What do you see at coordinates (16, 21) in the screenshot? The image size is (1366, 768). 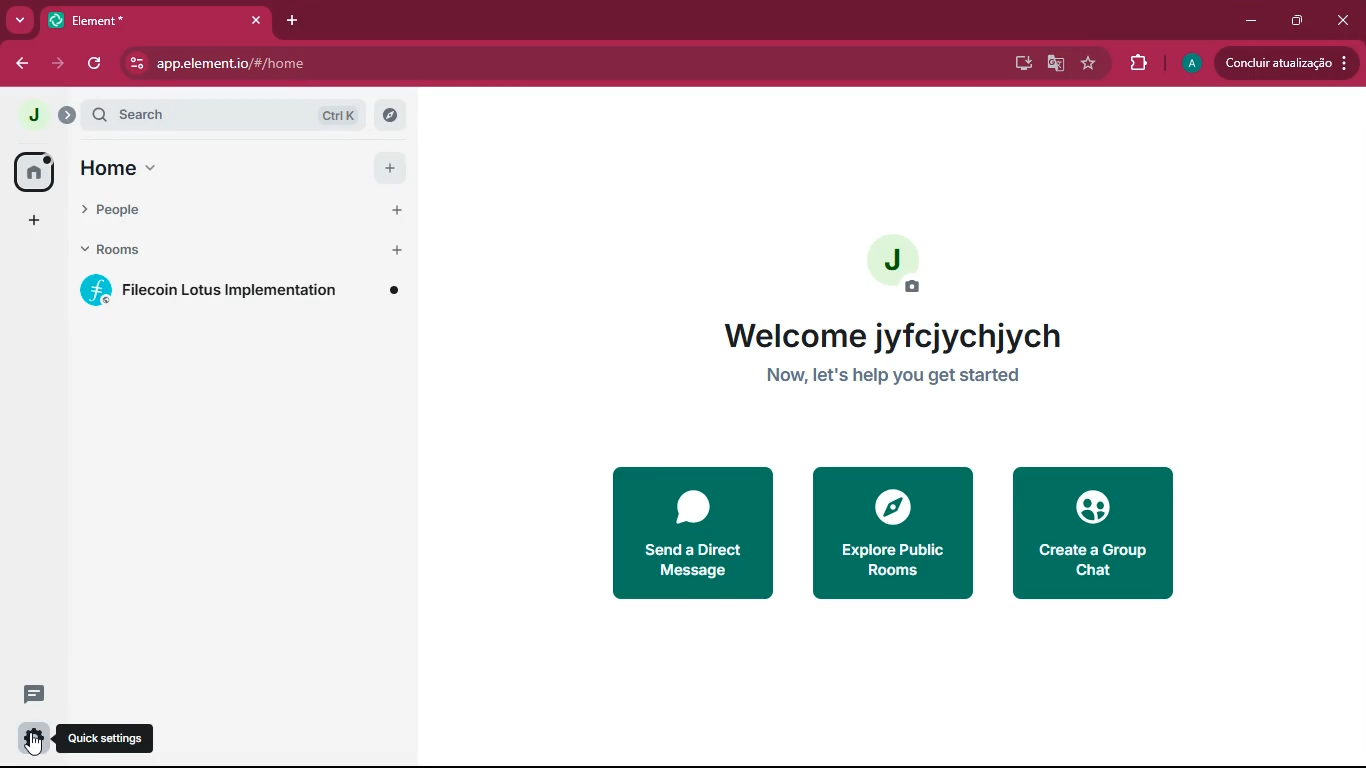 I see `more` at bounding box center [16, 21].